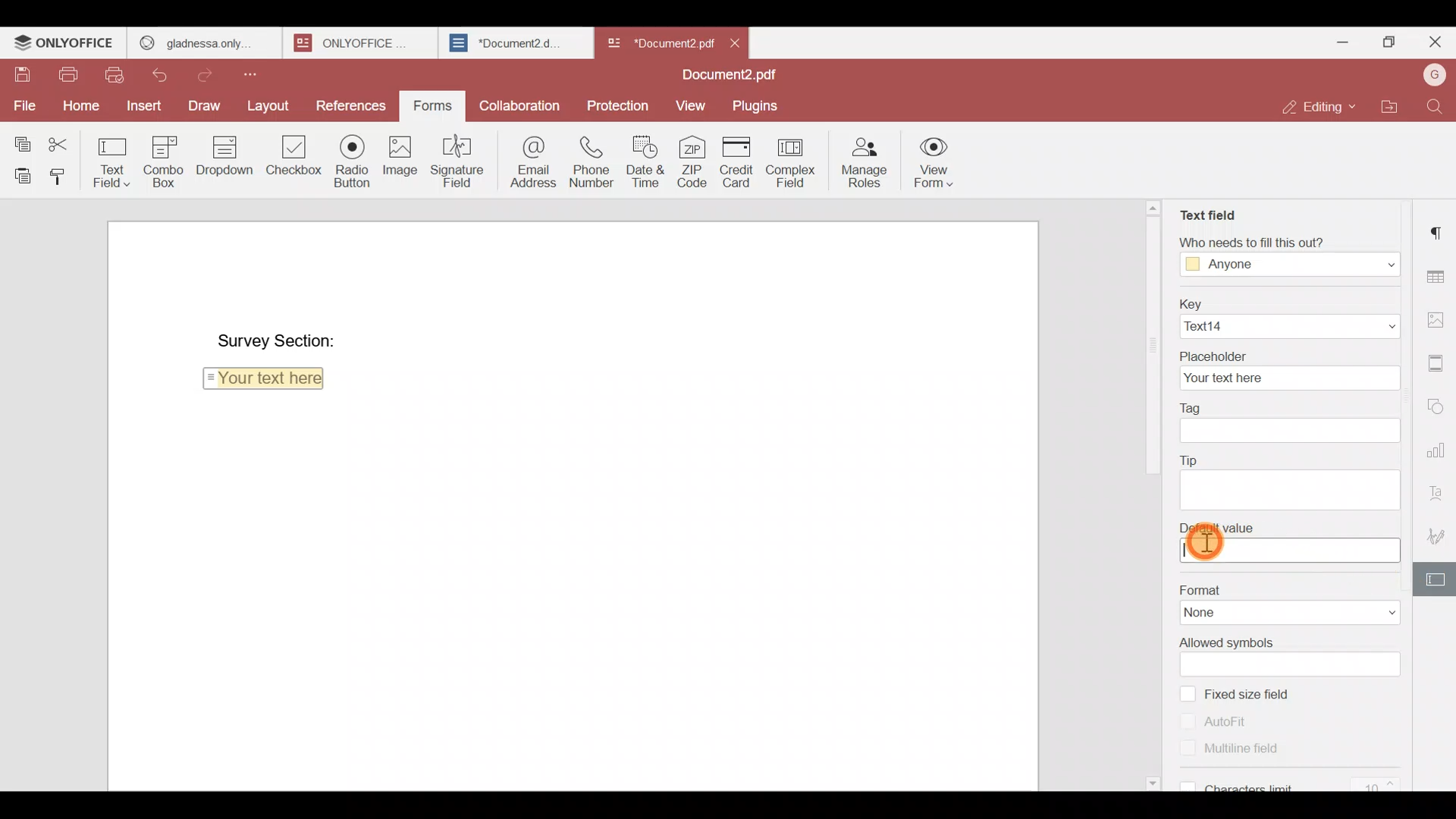 This screenshot has width=1456, height=819. What do you see at coordinates (1348, 42) in the screenshot?
I see `Minimize` at bounding box center [1348, 42].